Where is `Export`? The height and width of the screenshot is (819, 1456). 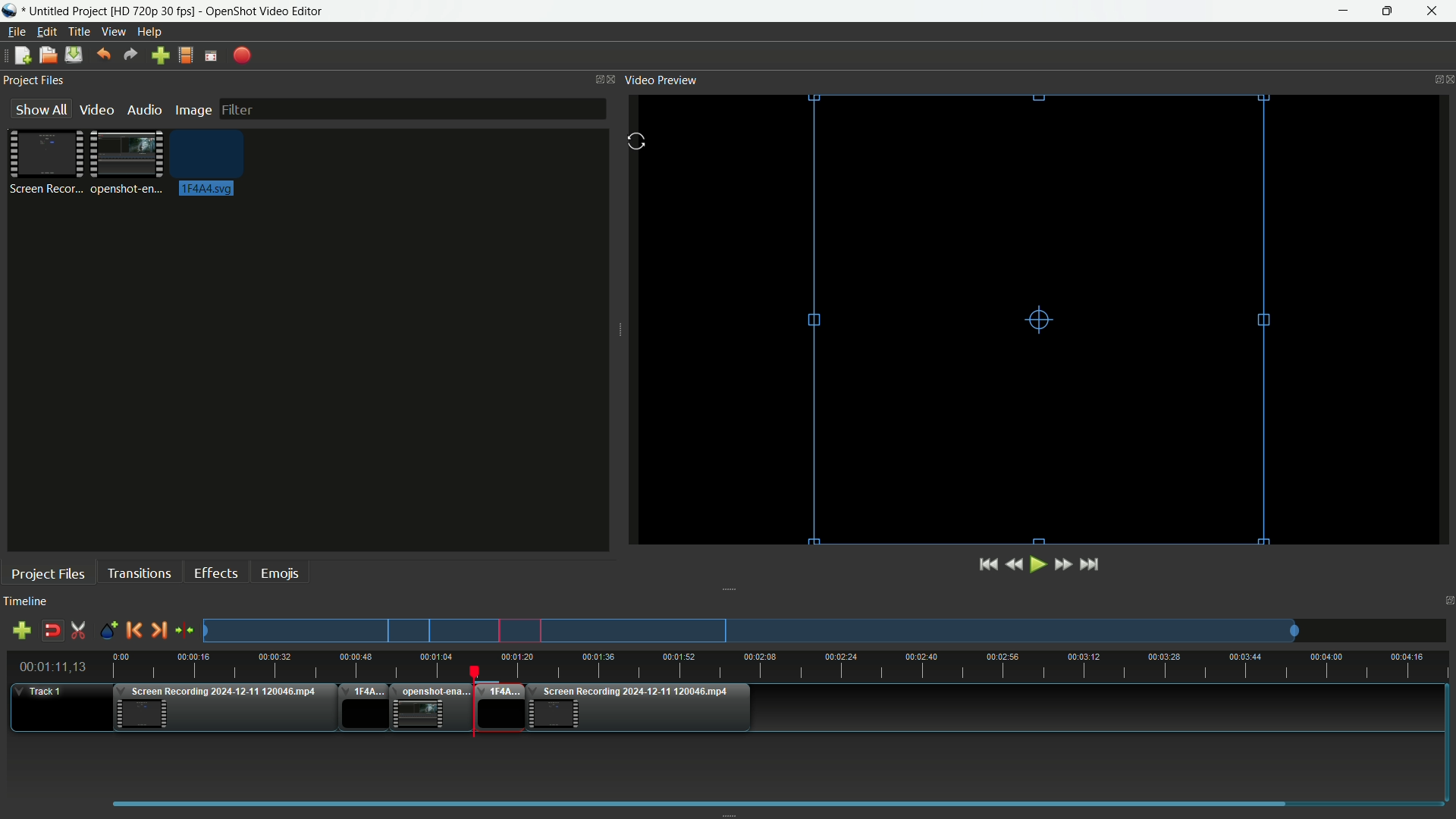
Export is located at coordinates (243, 56).